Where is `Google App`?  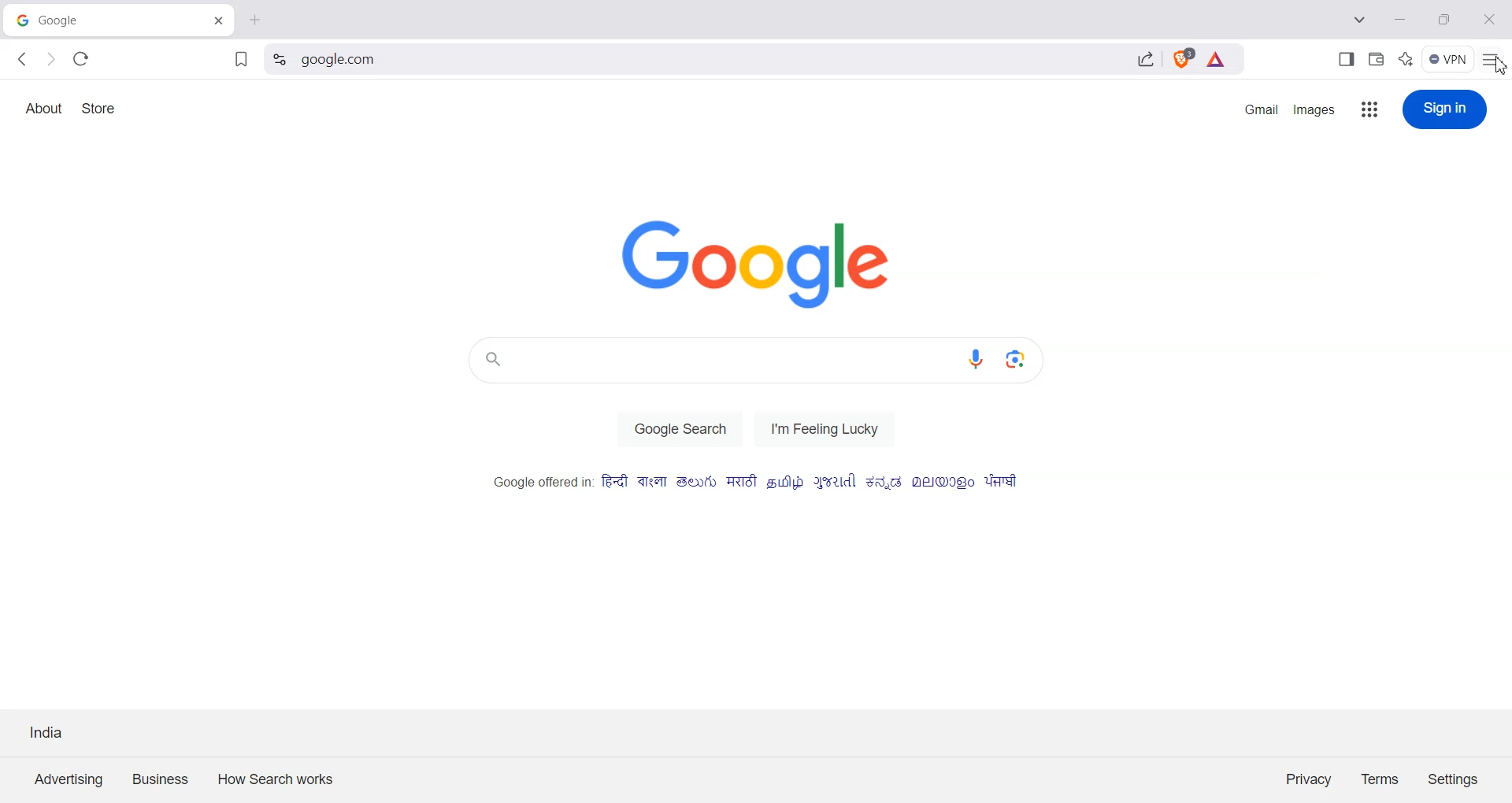 Google App is located at coordinates (1371, 109).